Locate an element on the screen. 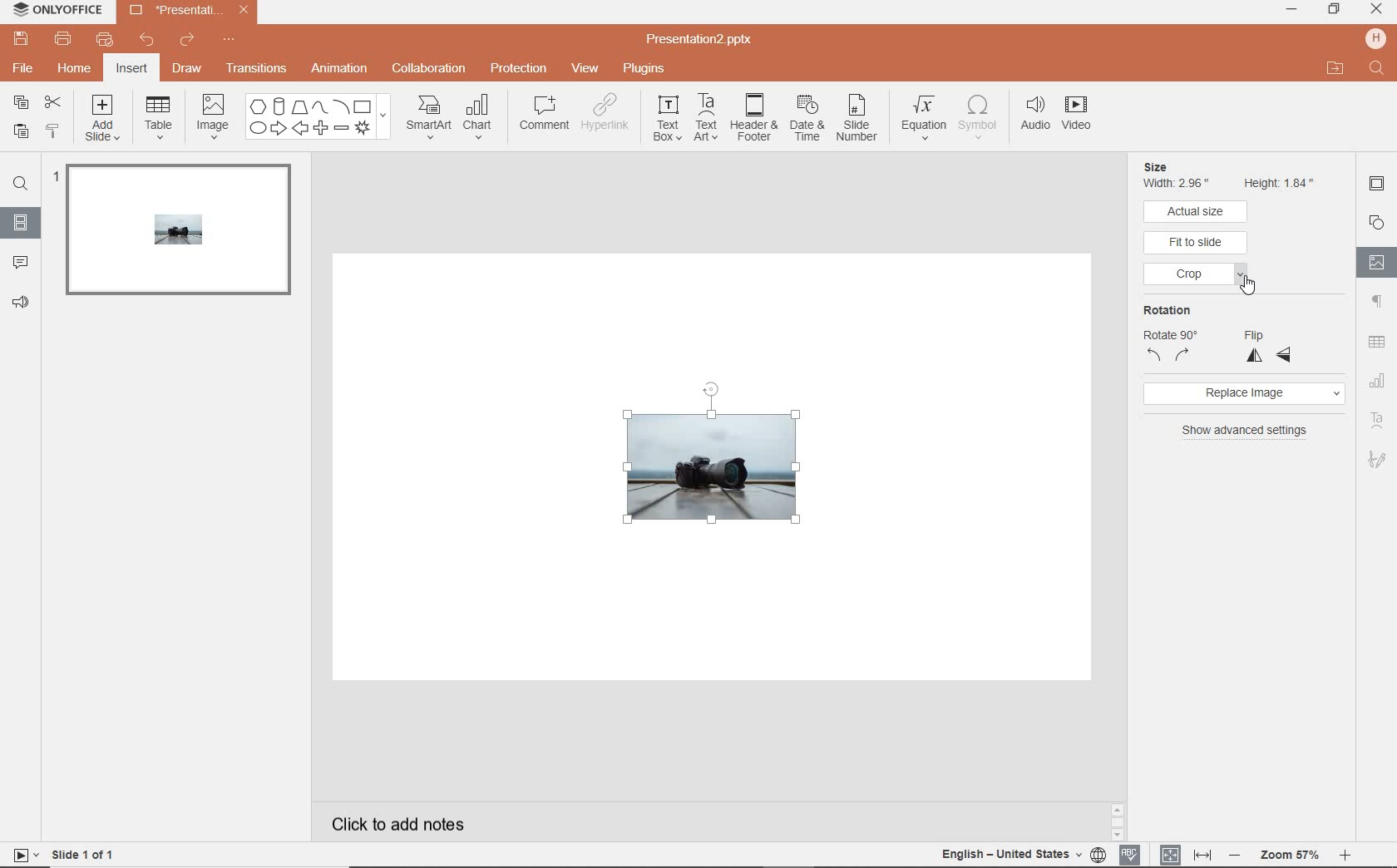  animation is located at coordinates (340, 69).